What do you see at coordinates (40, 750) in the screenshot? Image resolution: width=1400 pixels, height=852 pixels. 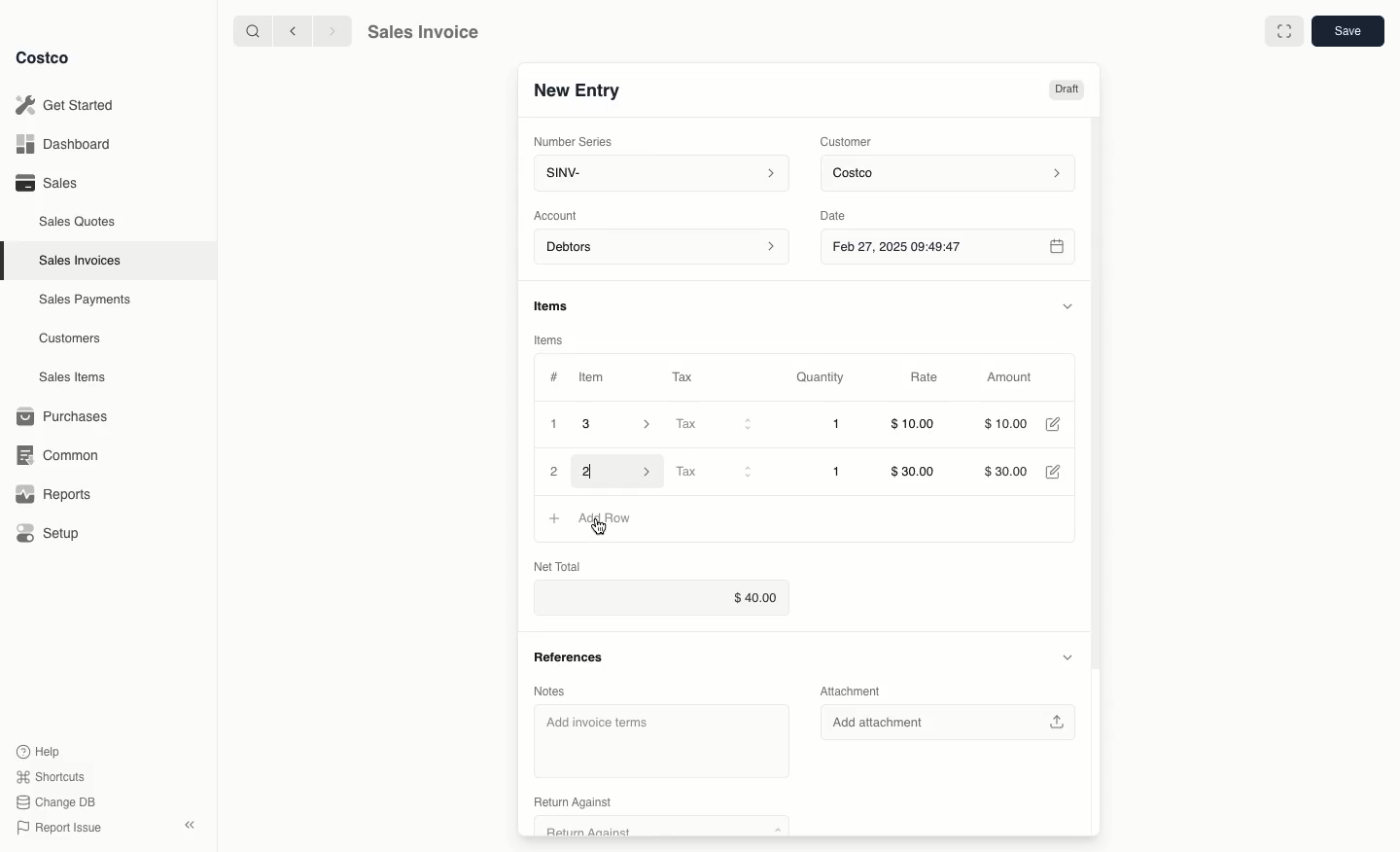 I see `Help` at bounding box center [40, 750].